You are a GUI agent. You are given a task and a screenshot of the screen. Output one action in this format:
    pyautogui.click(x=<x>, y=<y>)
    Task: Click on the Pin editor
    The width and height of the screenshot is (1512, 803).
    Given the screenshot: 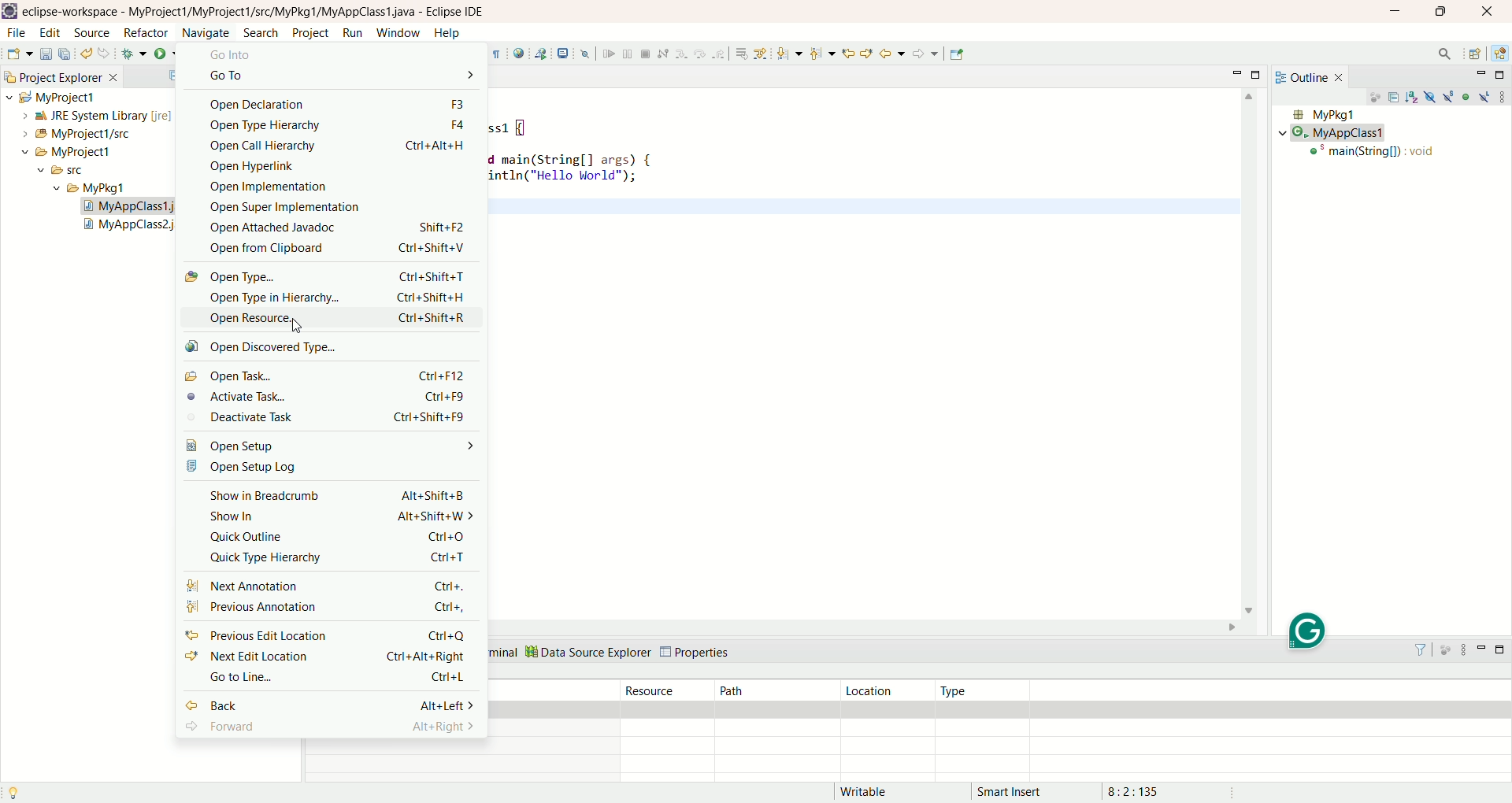 What is the action you would take?
    pyautogui.click(x=958, y=54)
    